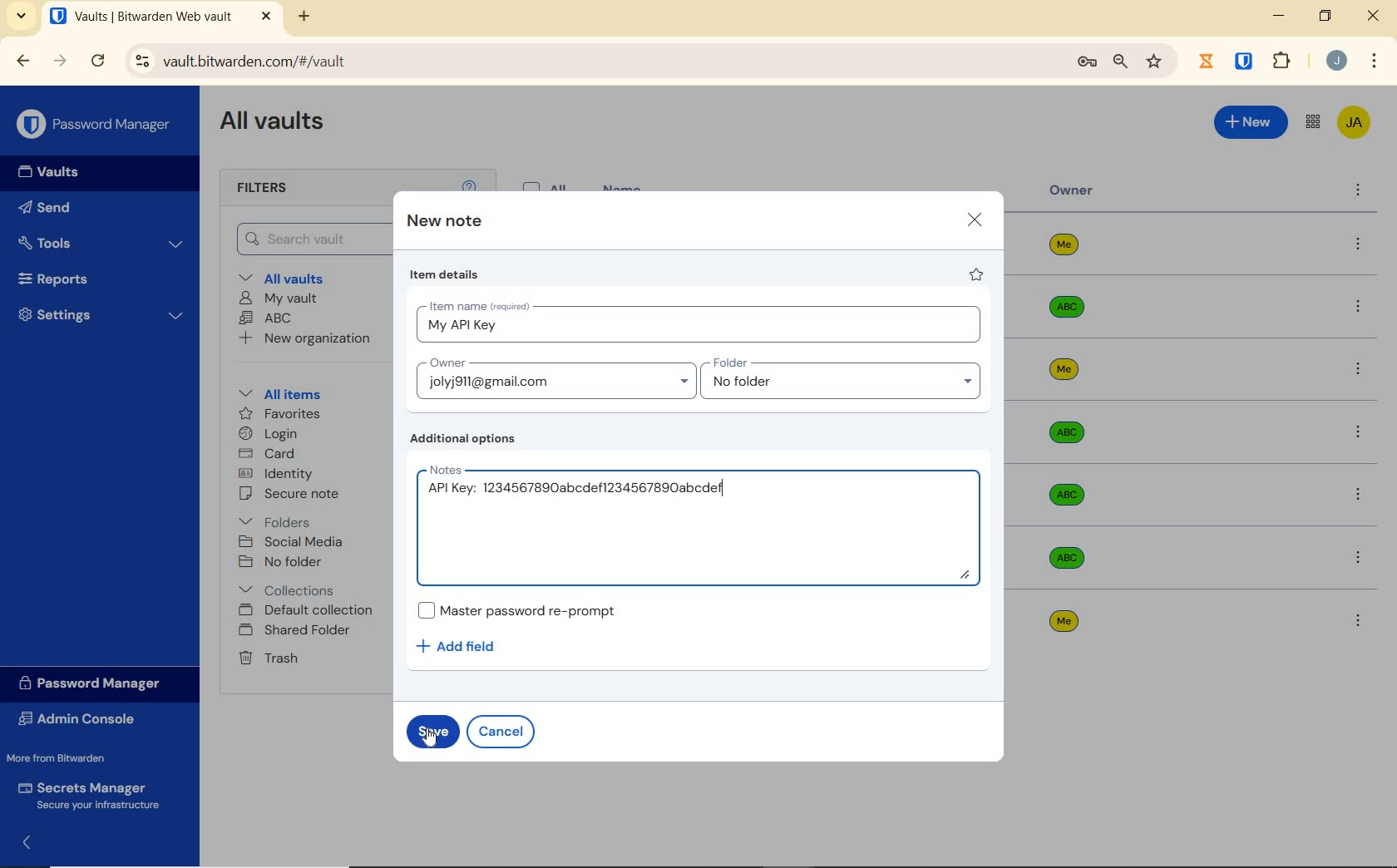  What do you see at coordinates (279, 474) in the screenshot?
I see `identity` at bounding box center [279, 474].